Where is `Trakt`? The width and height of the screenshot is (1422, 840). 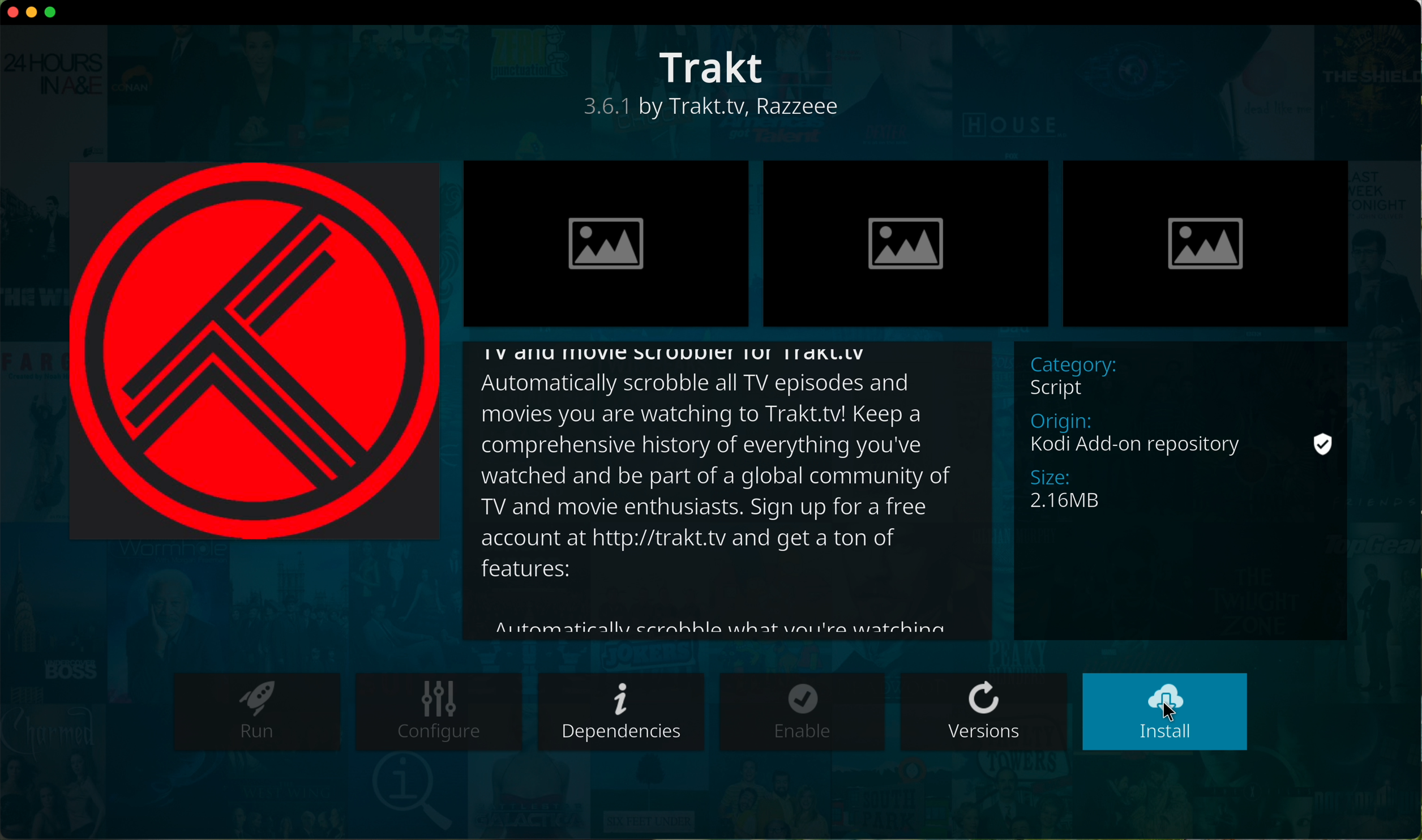
Trakt is located at coordinates (710, 66).